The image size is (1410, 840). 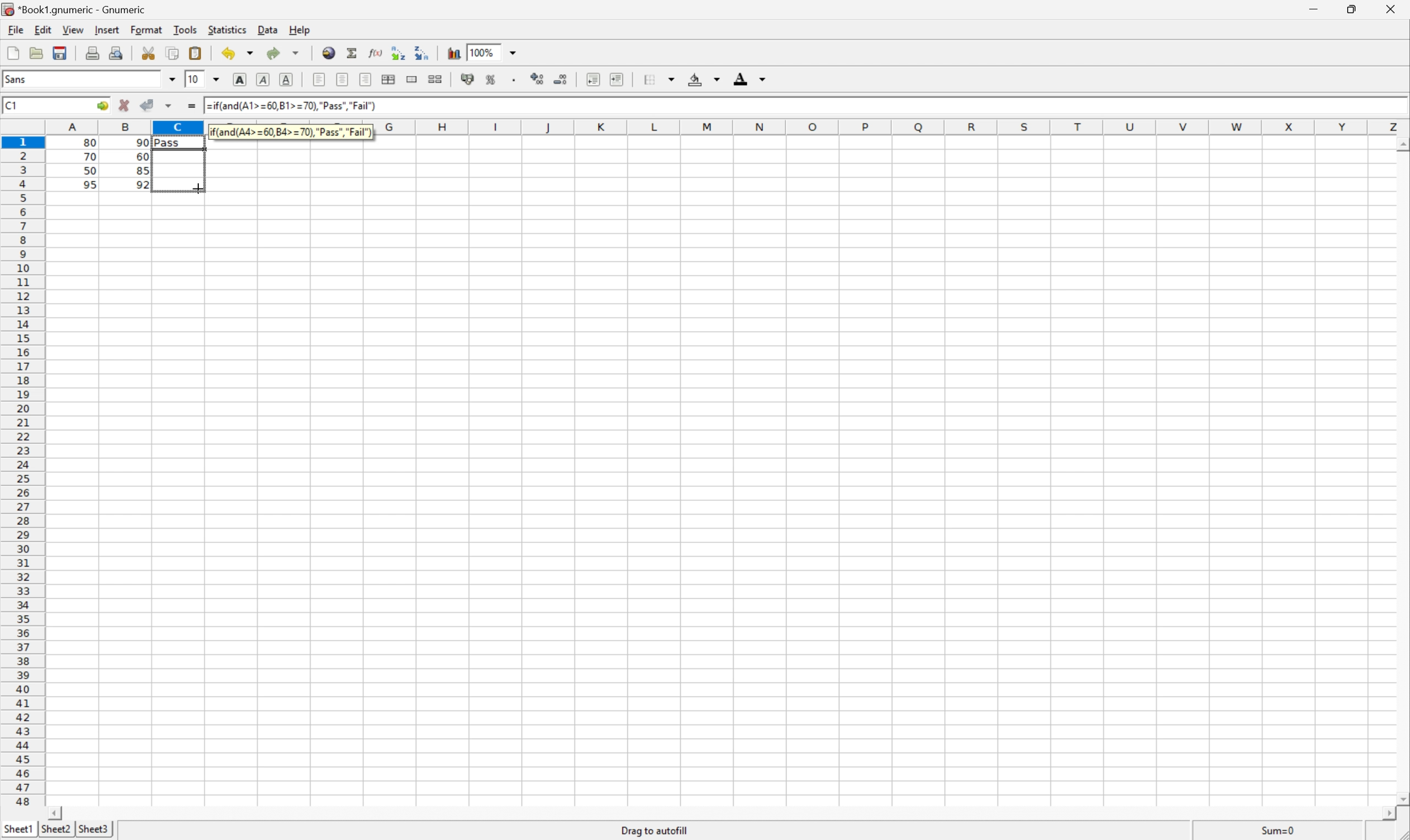 I want to click on Undo, so click(x=228, y=54).